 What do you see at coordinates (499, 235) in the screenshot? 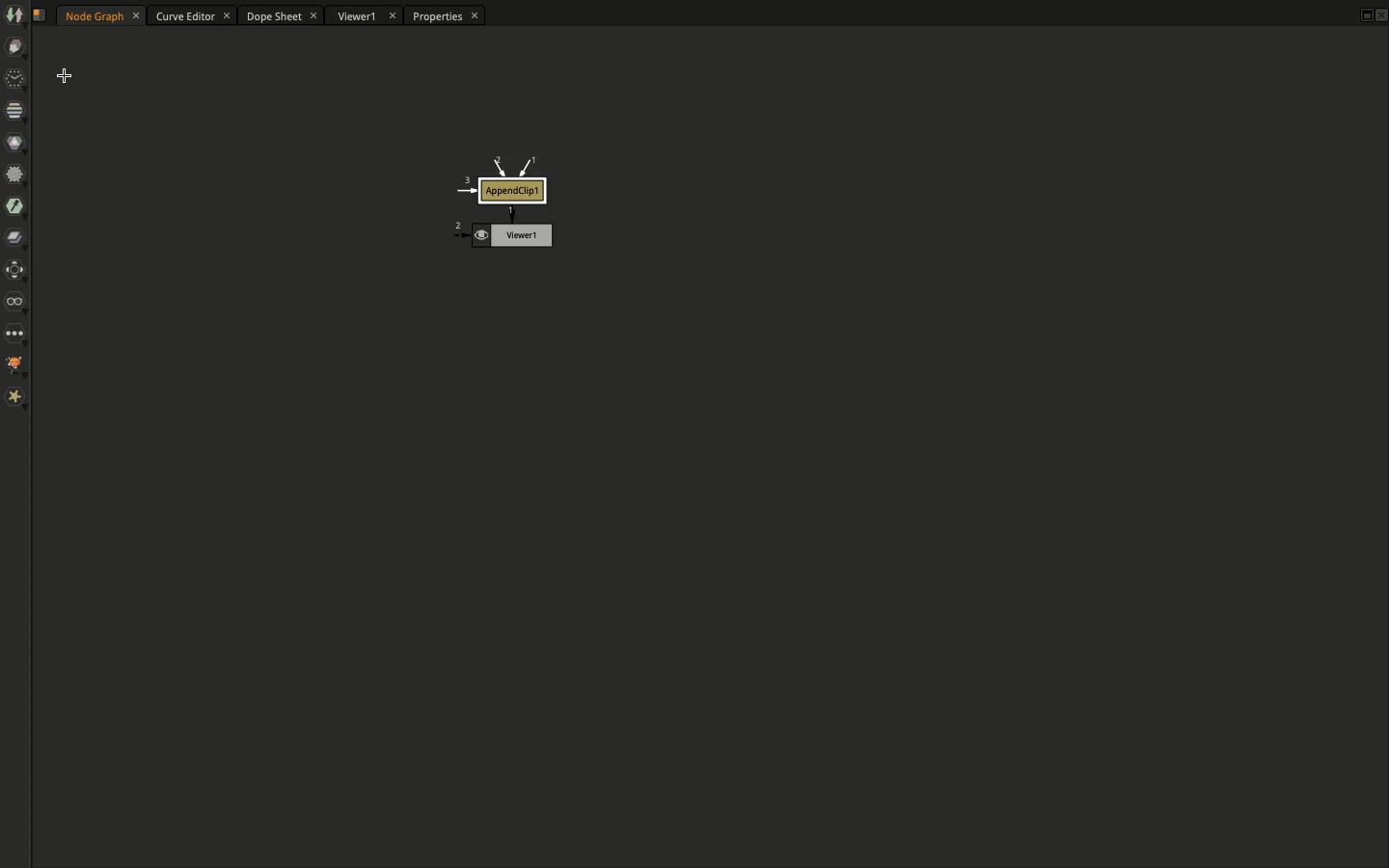
I see `Viewer node` at bounding box center [499, 235].